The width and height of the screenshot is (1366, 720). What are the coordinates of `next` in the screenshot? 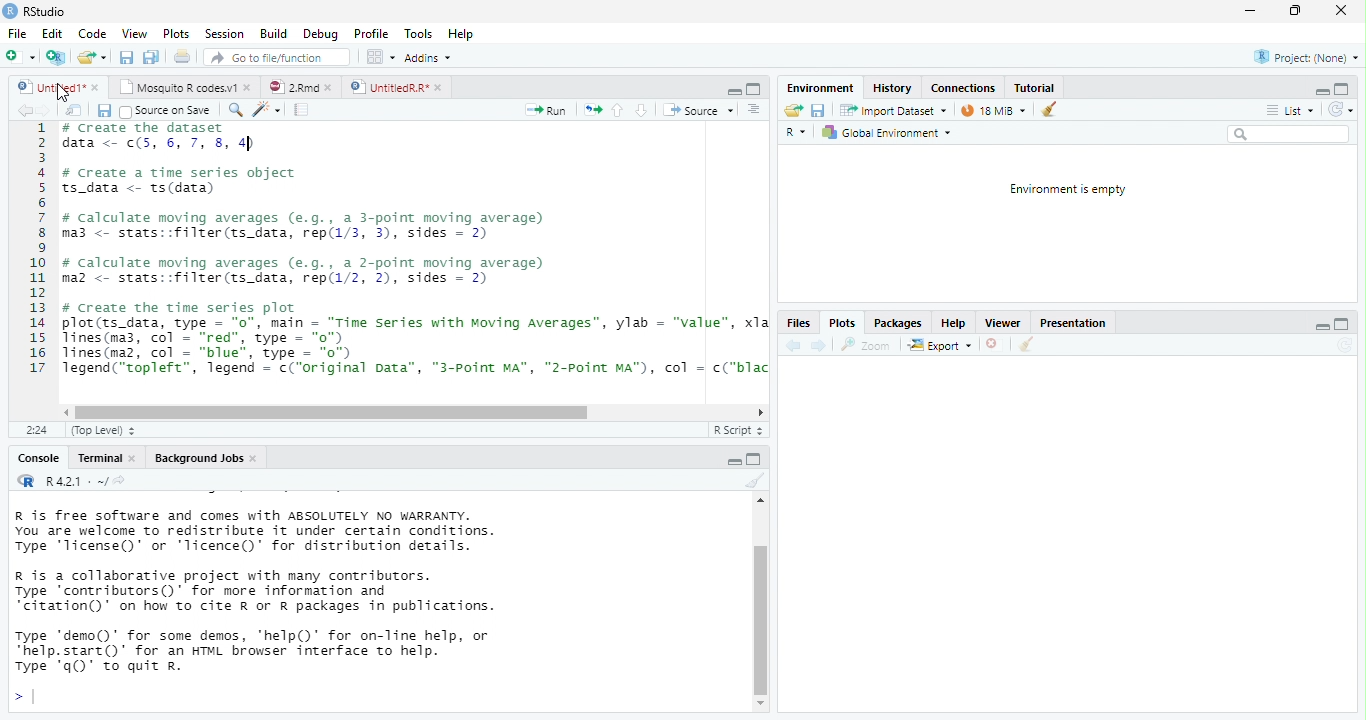 It's located at (48, 111).